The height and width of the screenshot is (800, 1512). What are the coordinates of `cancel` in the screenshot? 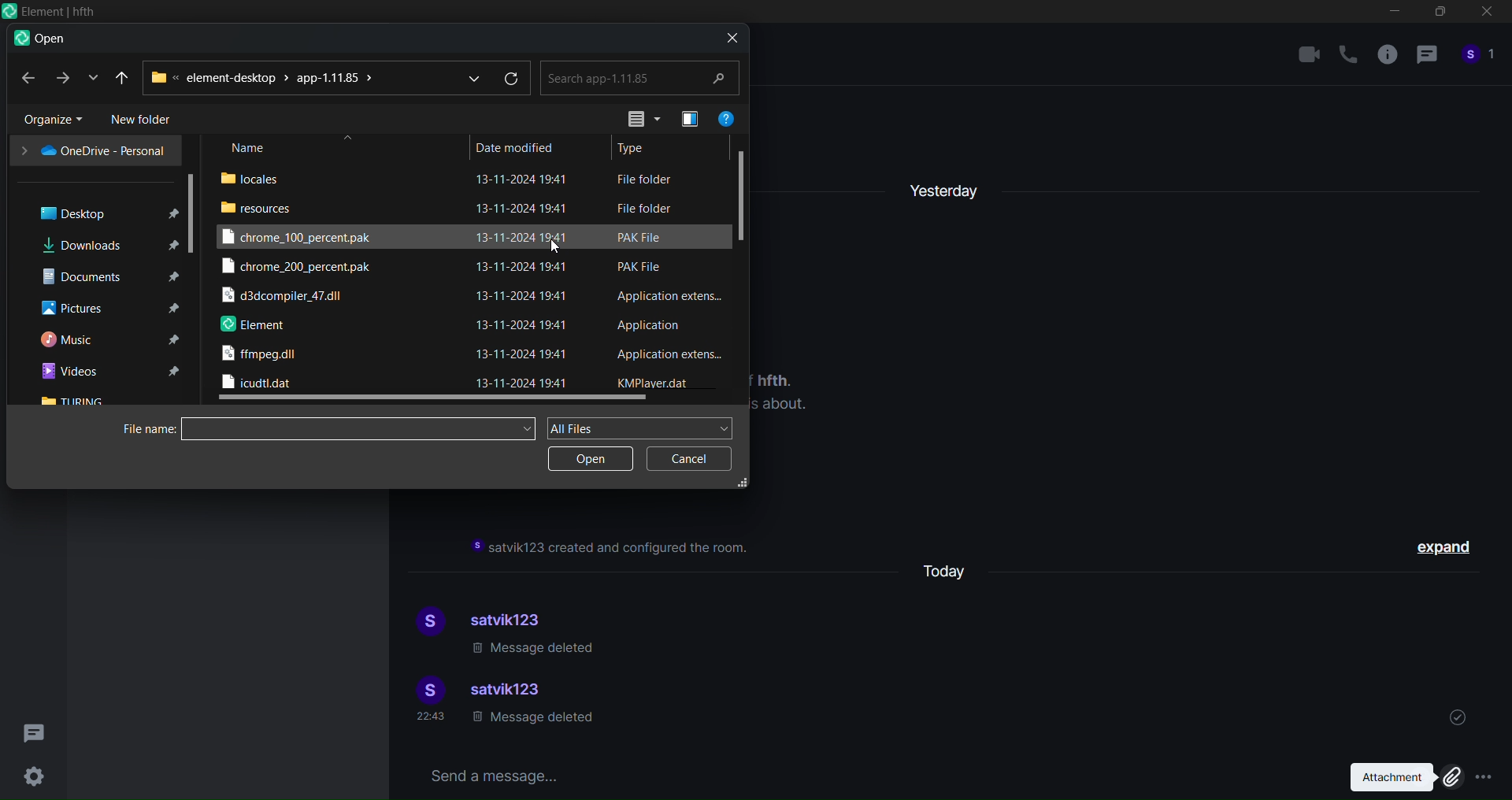 It's located at (686, 460).